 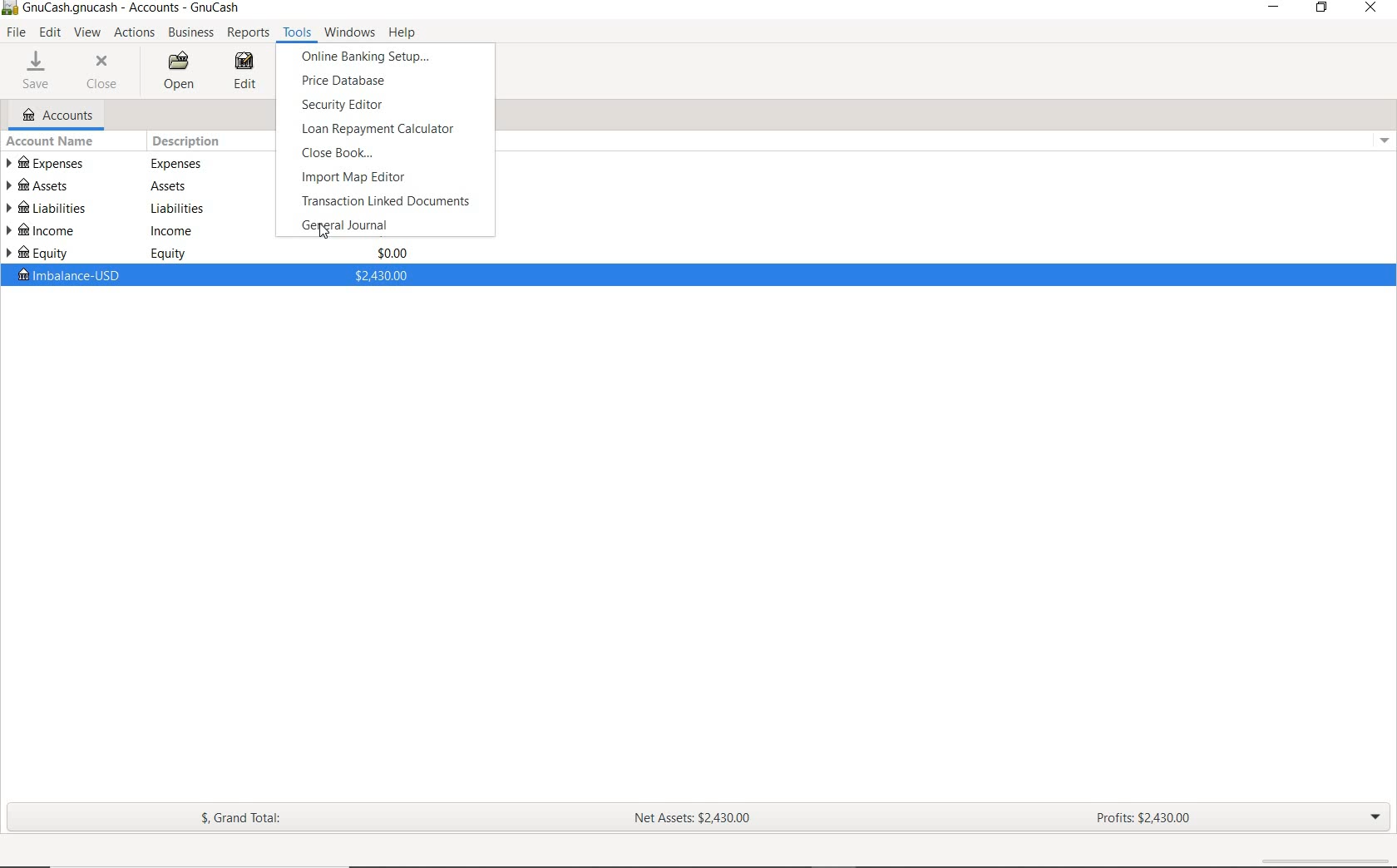 I want to click on , so click(x=176, y=208).